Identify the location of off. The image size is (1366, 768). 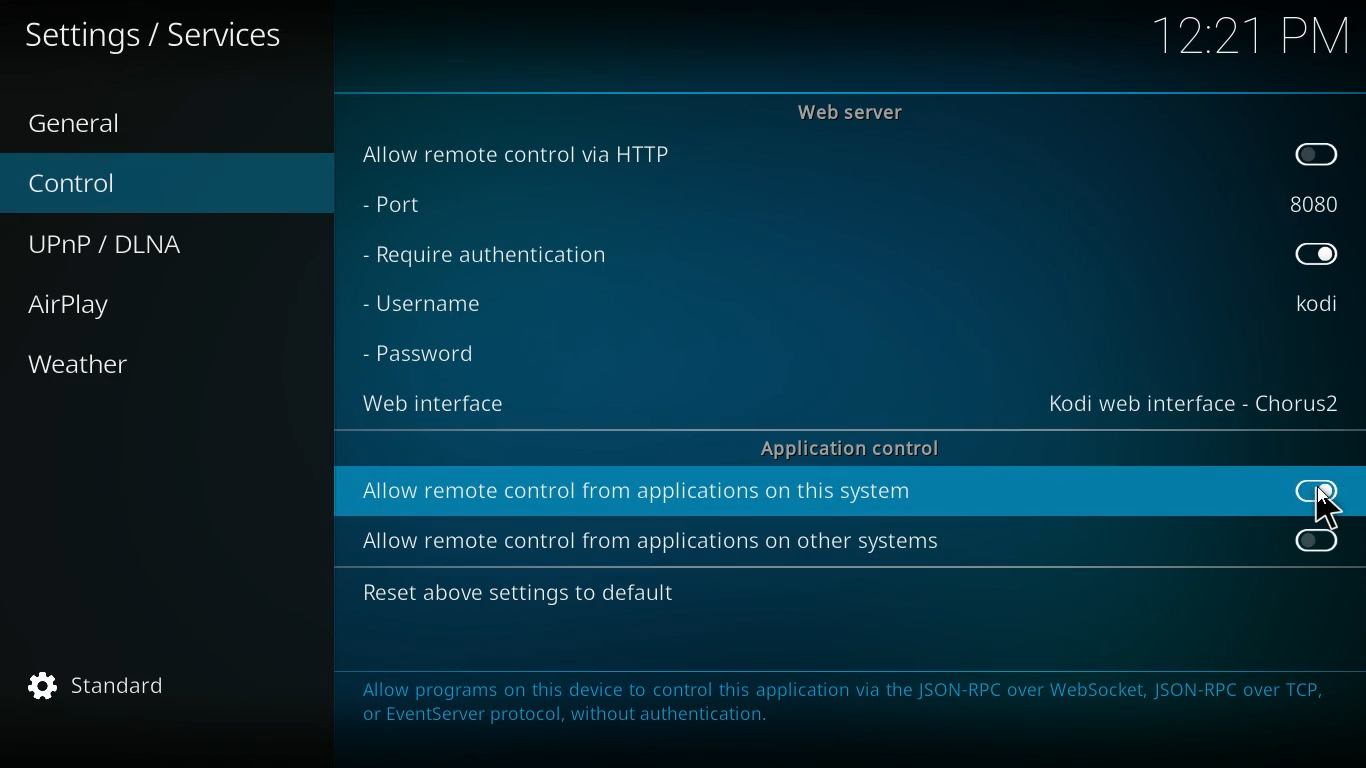
(1319, 154).